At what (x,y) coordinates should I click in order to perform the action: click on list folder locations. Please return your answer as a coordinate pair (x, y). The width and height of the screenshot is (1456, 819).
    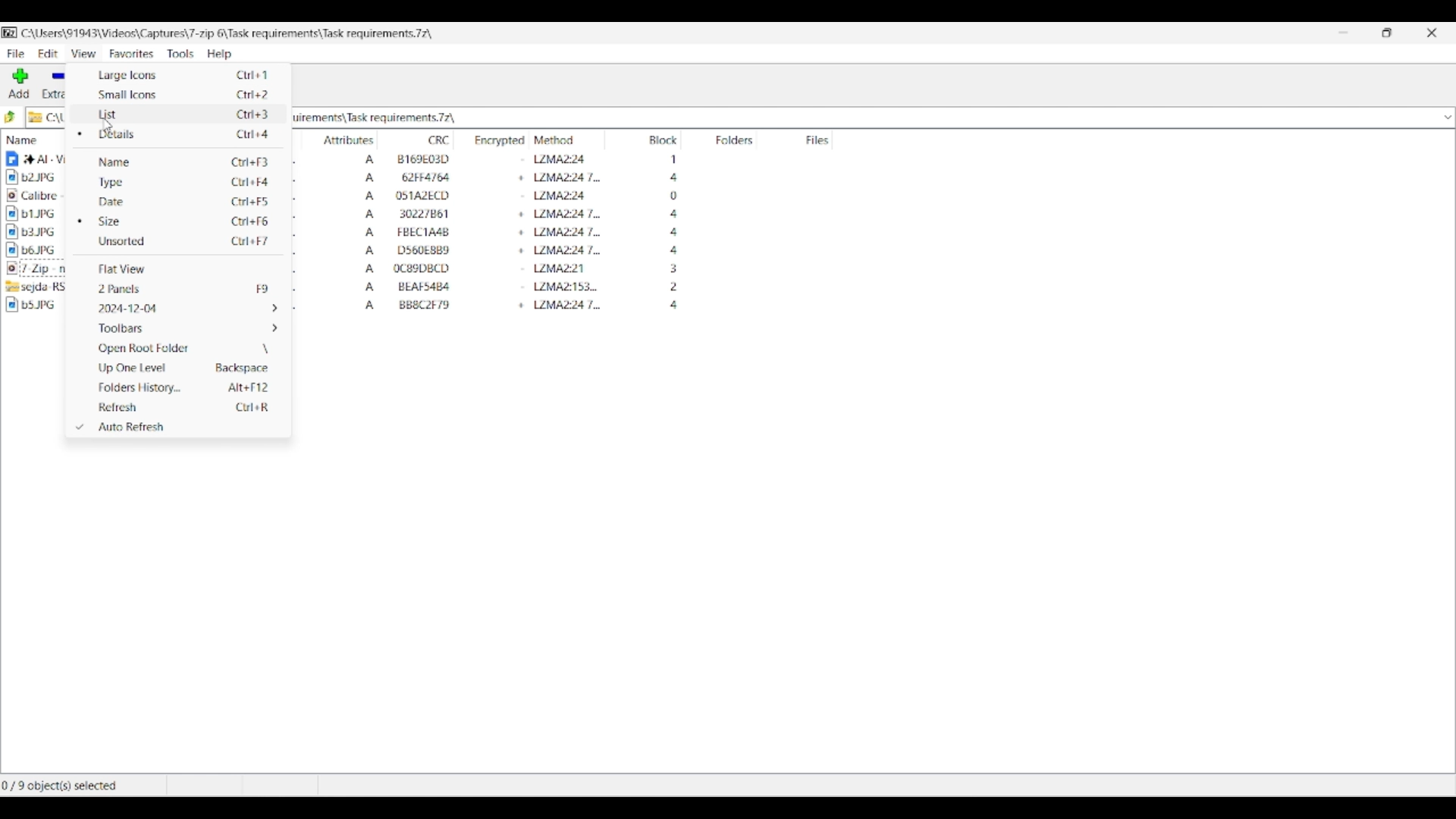
    Looking at the image, I should click on (1447, 118).